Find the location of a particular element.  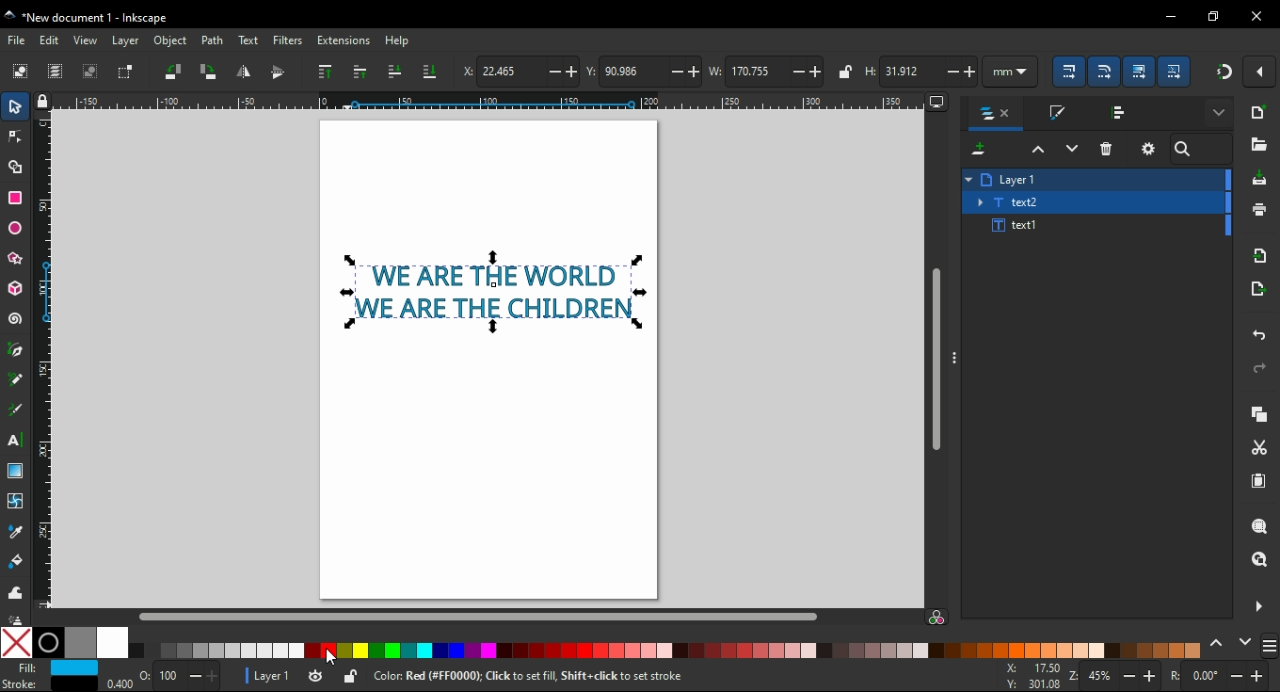

open  is located at coordinates (1260, 144).